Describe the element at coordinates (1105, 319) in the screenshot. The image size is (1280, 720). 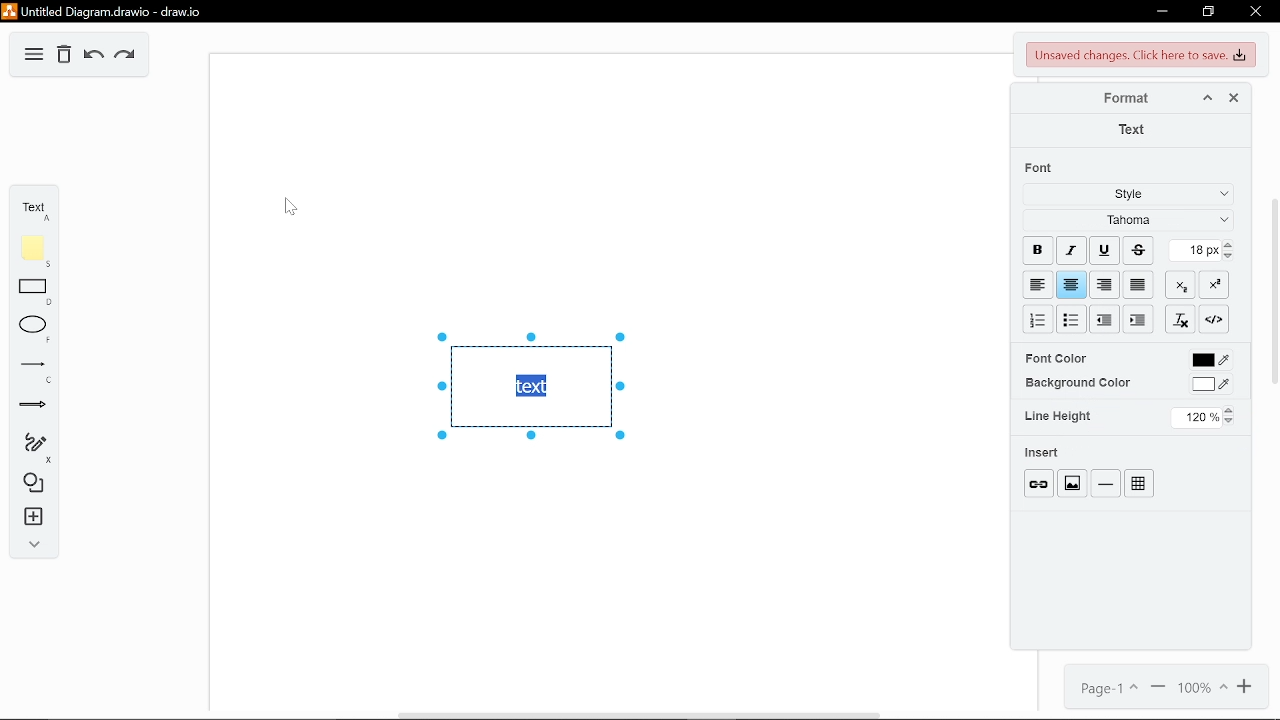
I see `increase indent` at that location.